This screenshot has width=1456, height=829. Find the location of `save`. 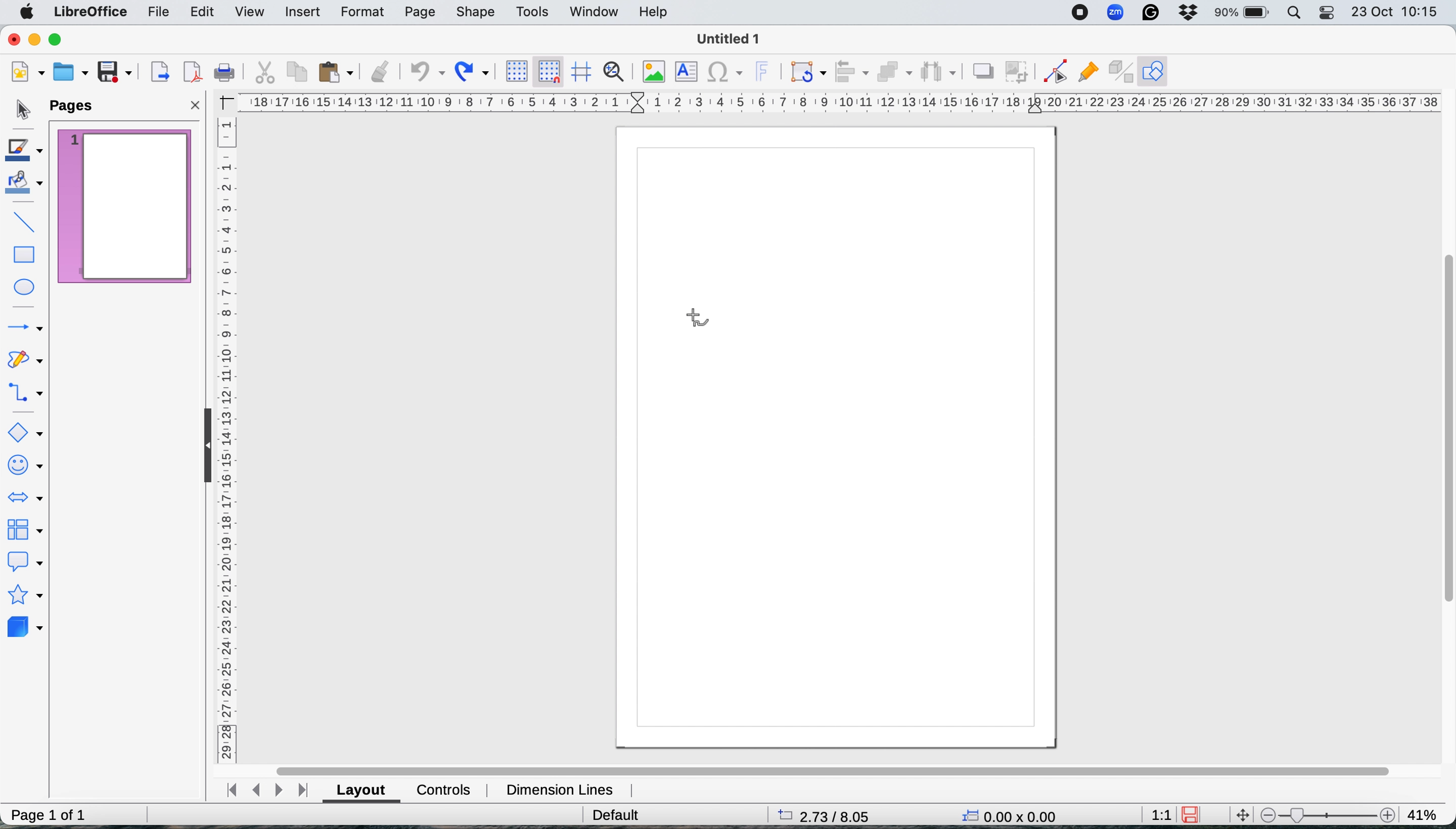

save is located at coordinates (1189, 816).